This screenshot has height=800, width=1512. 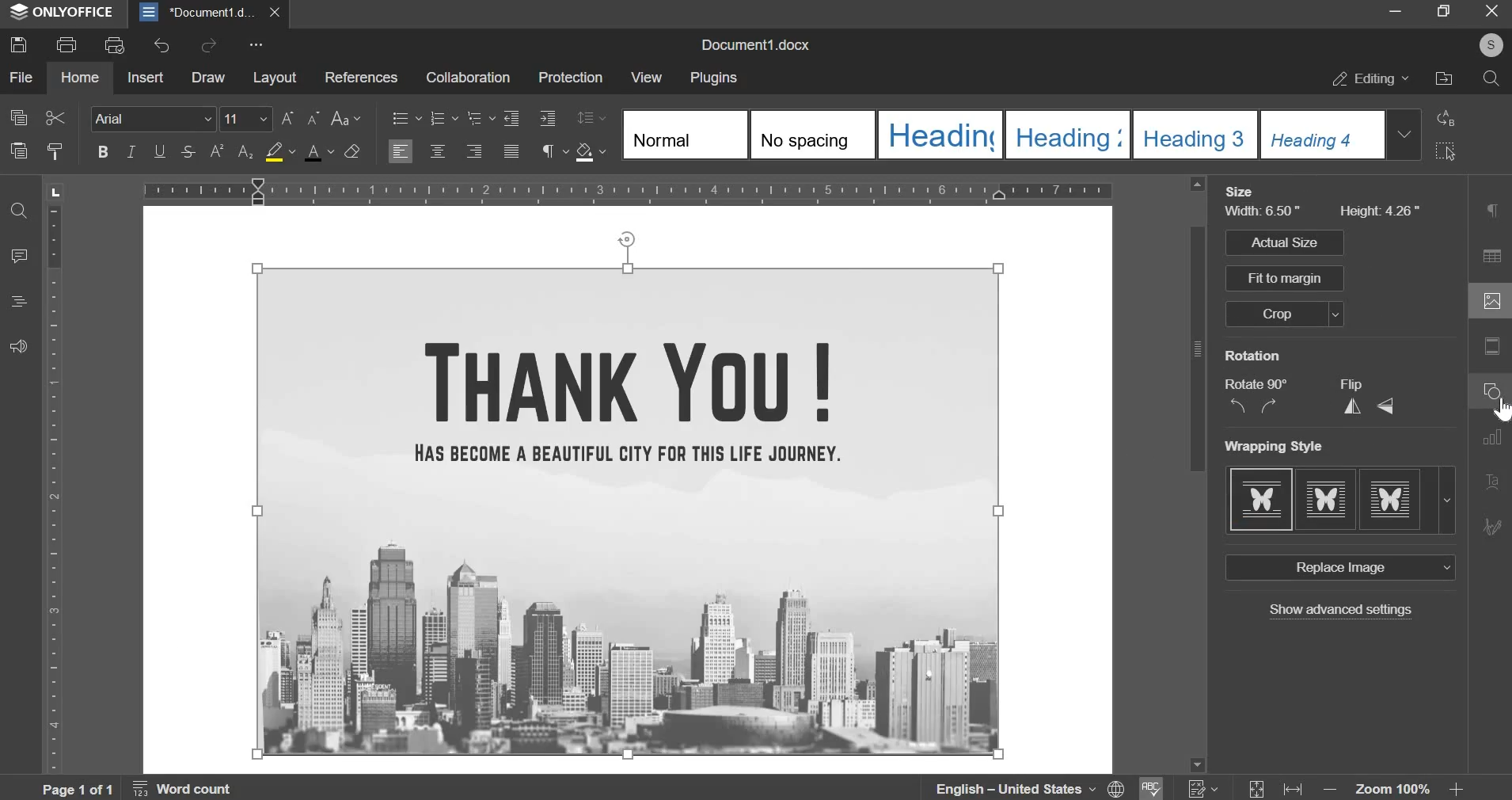 What do you see at coordinates (247, 151) in the screenshot?
I see `subscript` at bounding box center [247, 151].